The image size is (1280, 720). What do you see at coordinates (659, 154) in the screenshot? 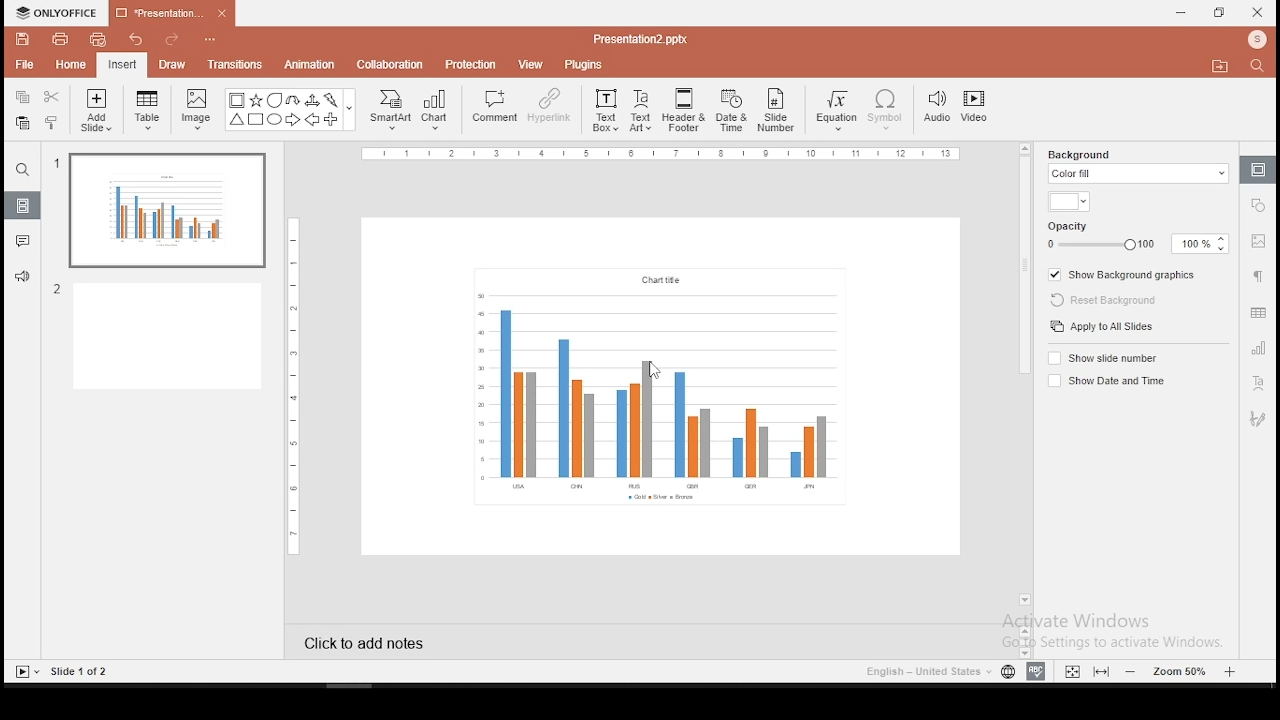
I see `Scale` at bounding box center [659, 154].